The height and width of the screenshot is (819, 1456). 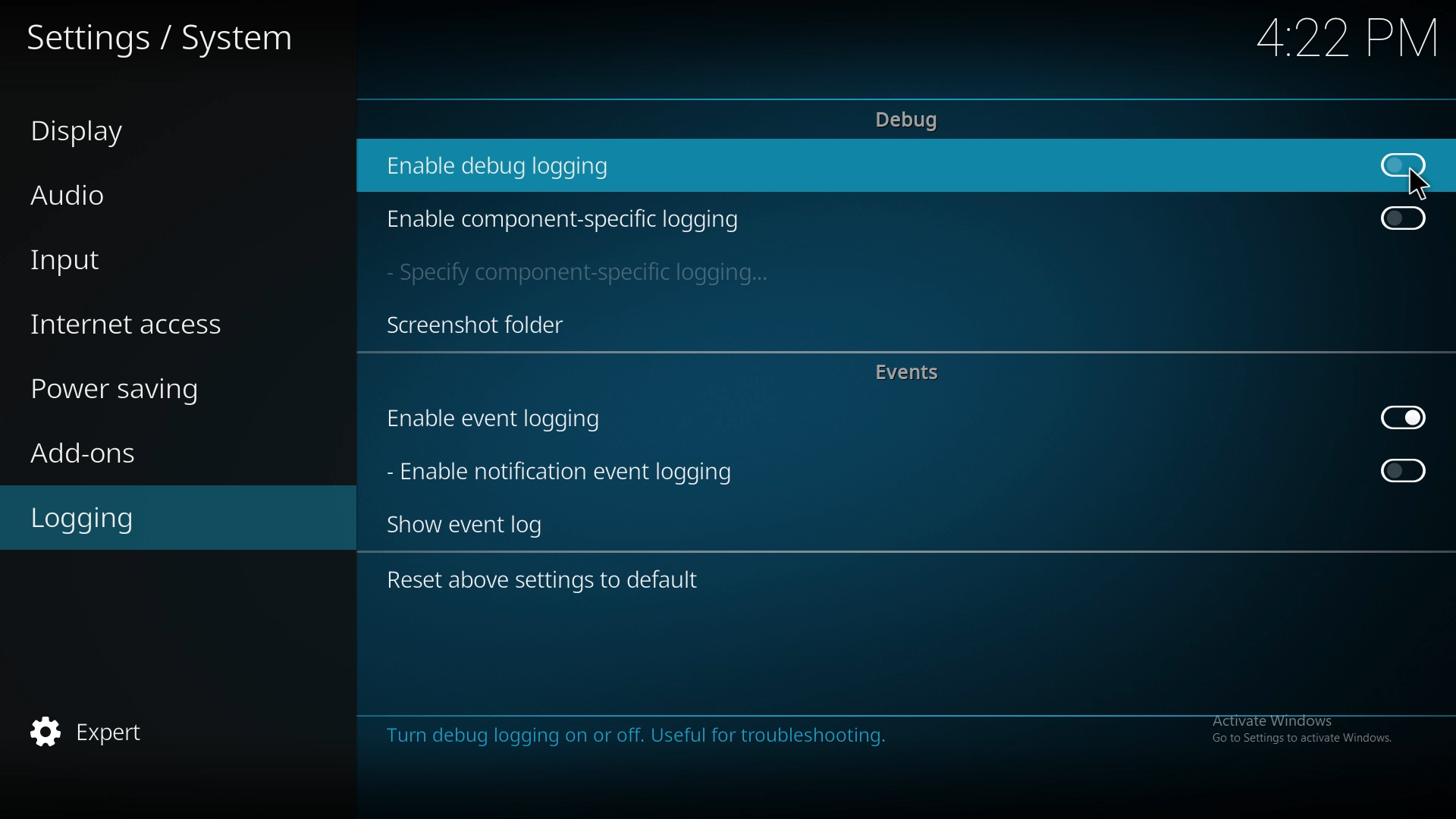 I want to click on specify component specific logging, so click(x=585, y=275).